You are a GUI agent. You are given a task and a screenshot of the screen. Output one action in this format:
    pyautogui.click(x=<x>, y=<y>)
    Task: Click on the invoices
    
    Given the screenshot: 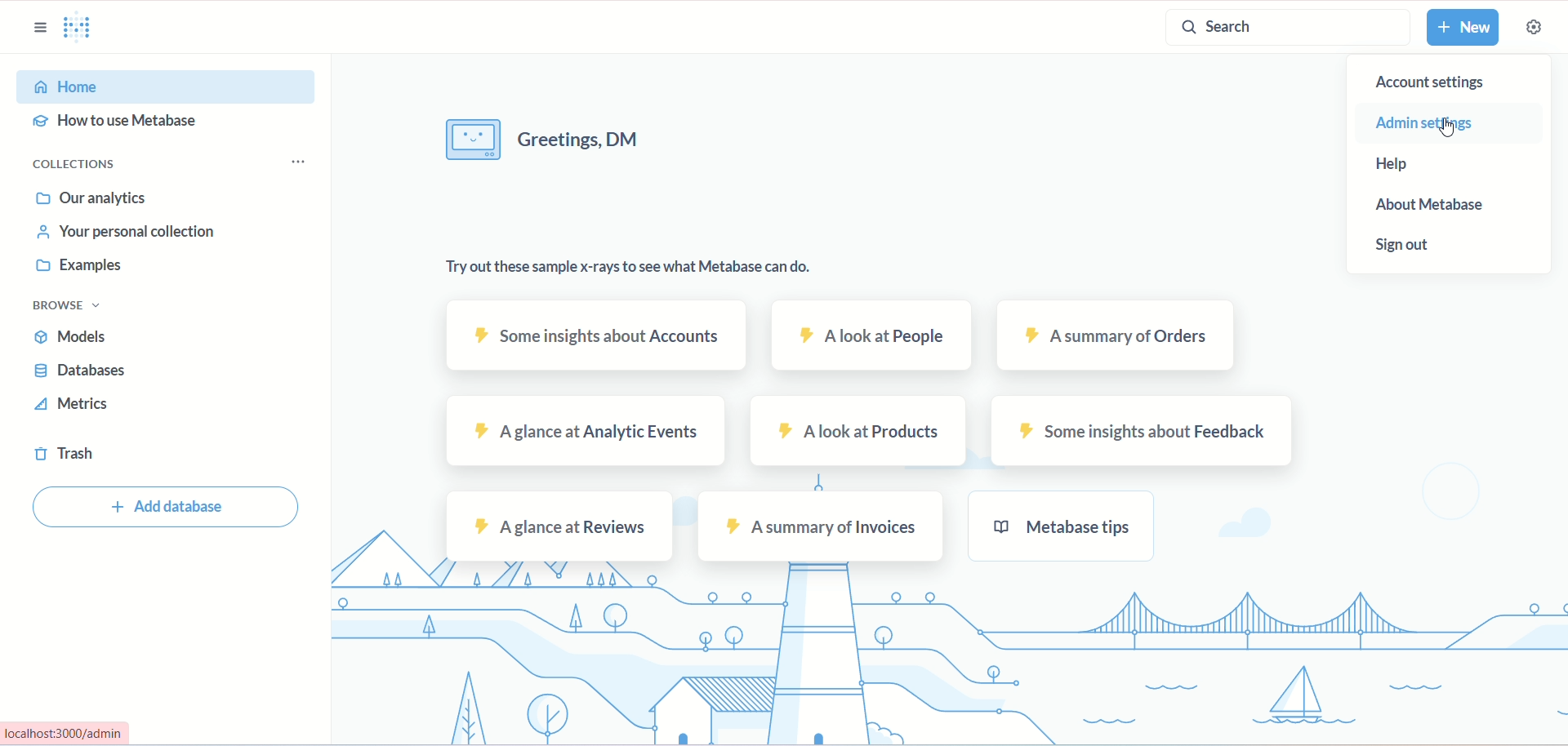 What is the action you would take?
    pyautogui.click(x=822, y=527)
    